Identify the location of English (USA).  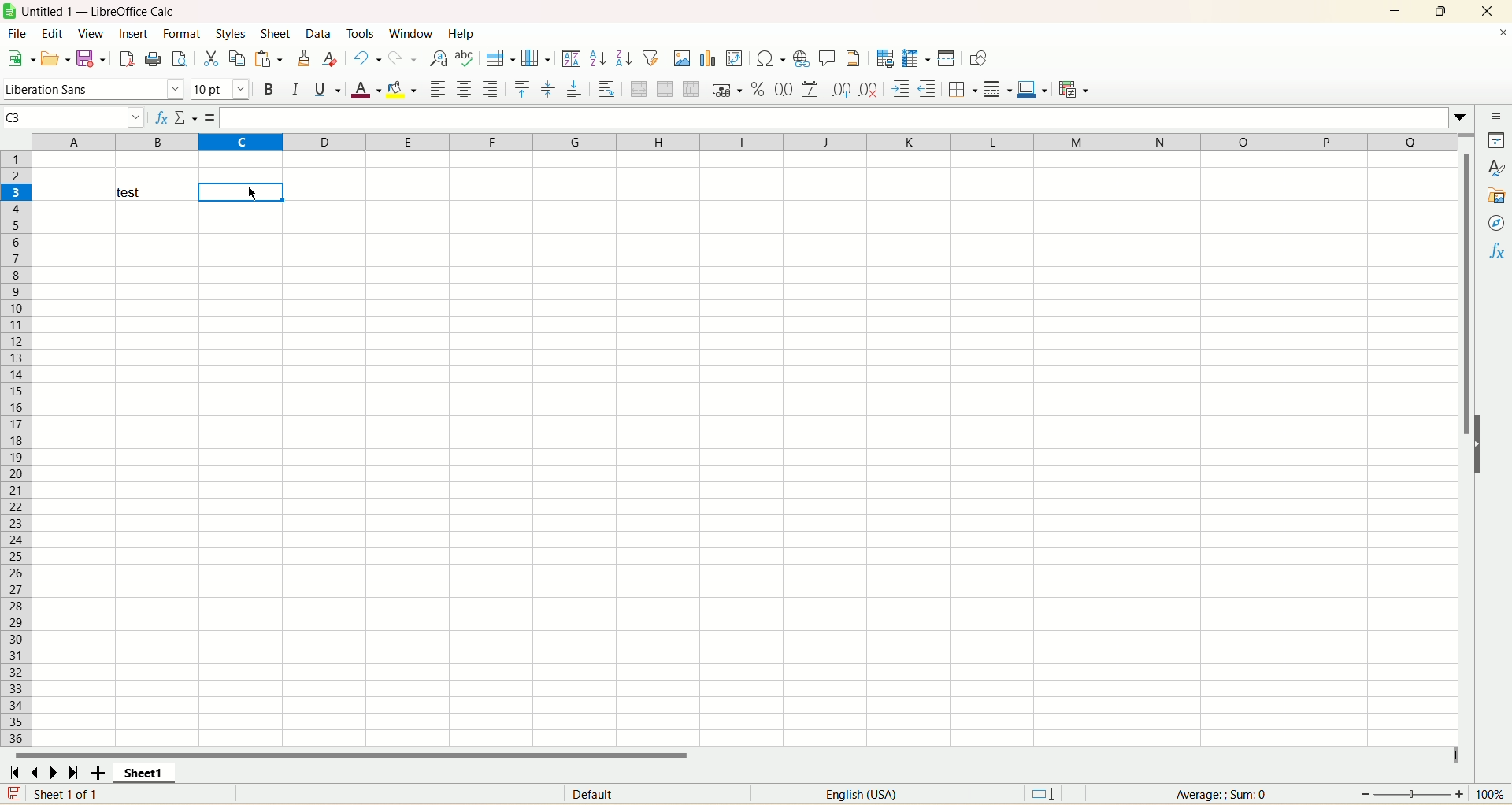
(860, 794).